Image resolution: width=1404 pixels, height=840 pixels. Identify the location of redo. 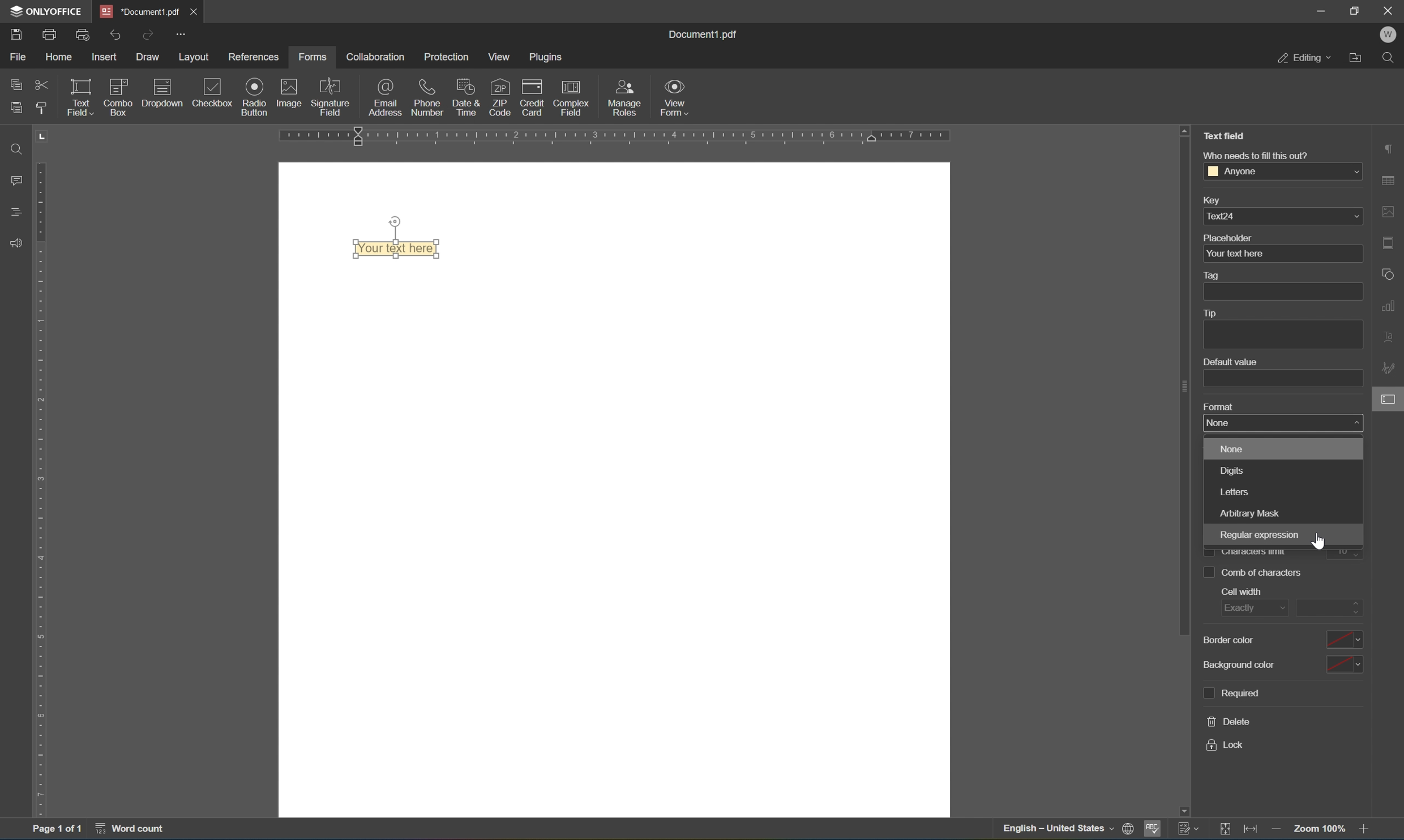
(150, 35).